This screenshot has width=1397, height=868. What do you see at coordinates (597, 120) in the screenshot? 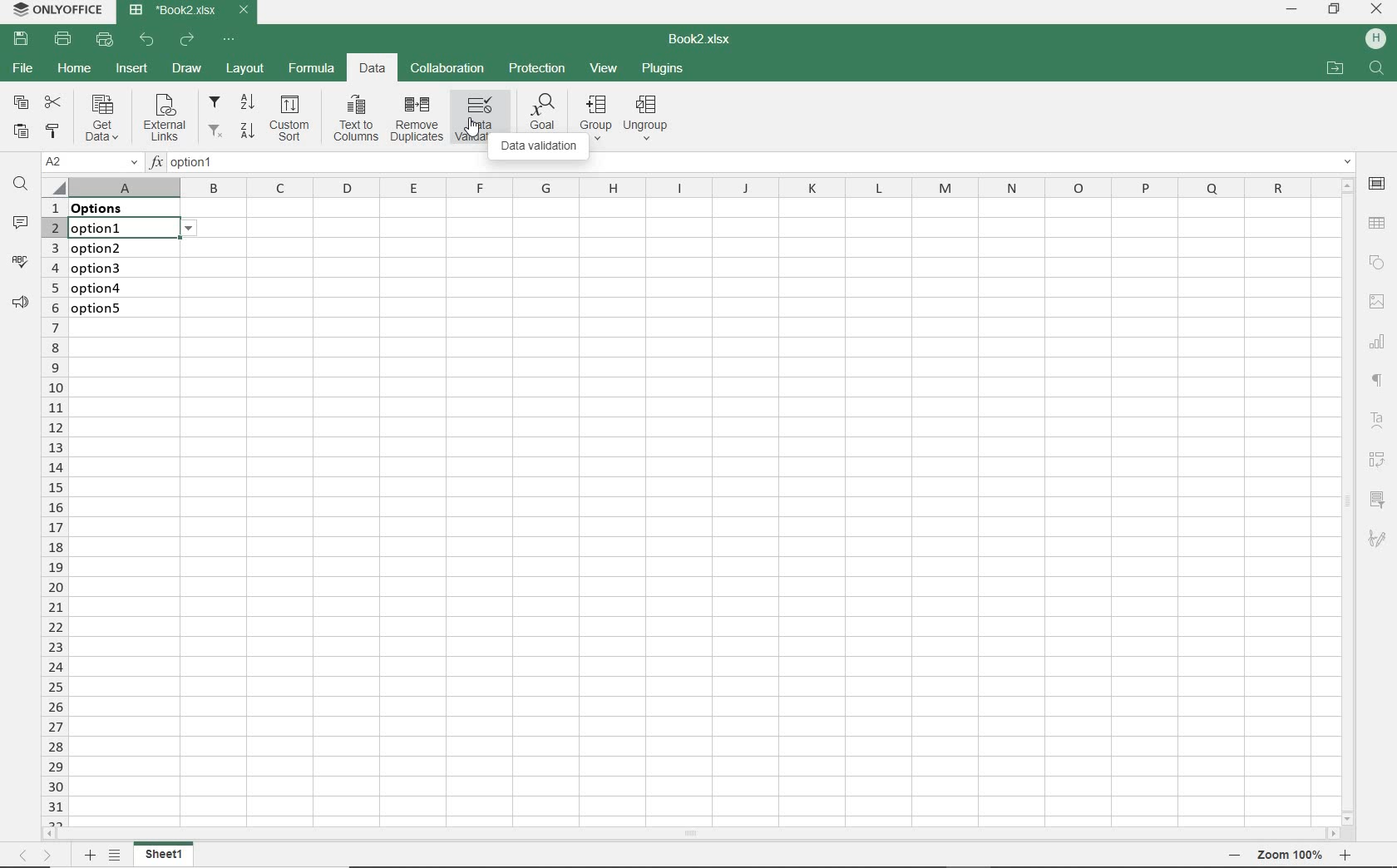
I see `group` at bounding box center [597, 120].